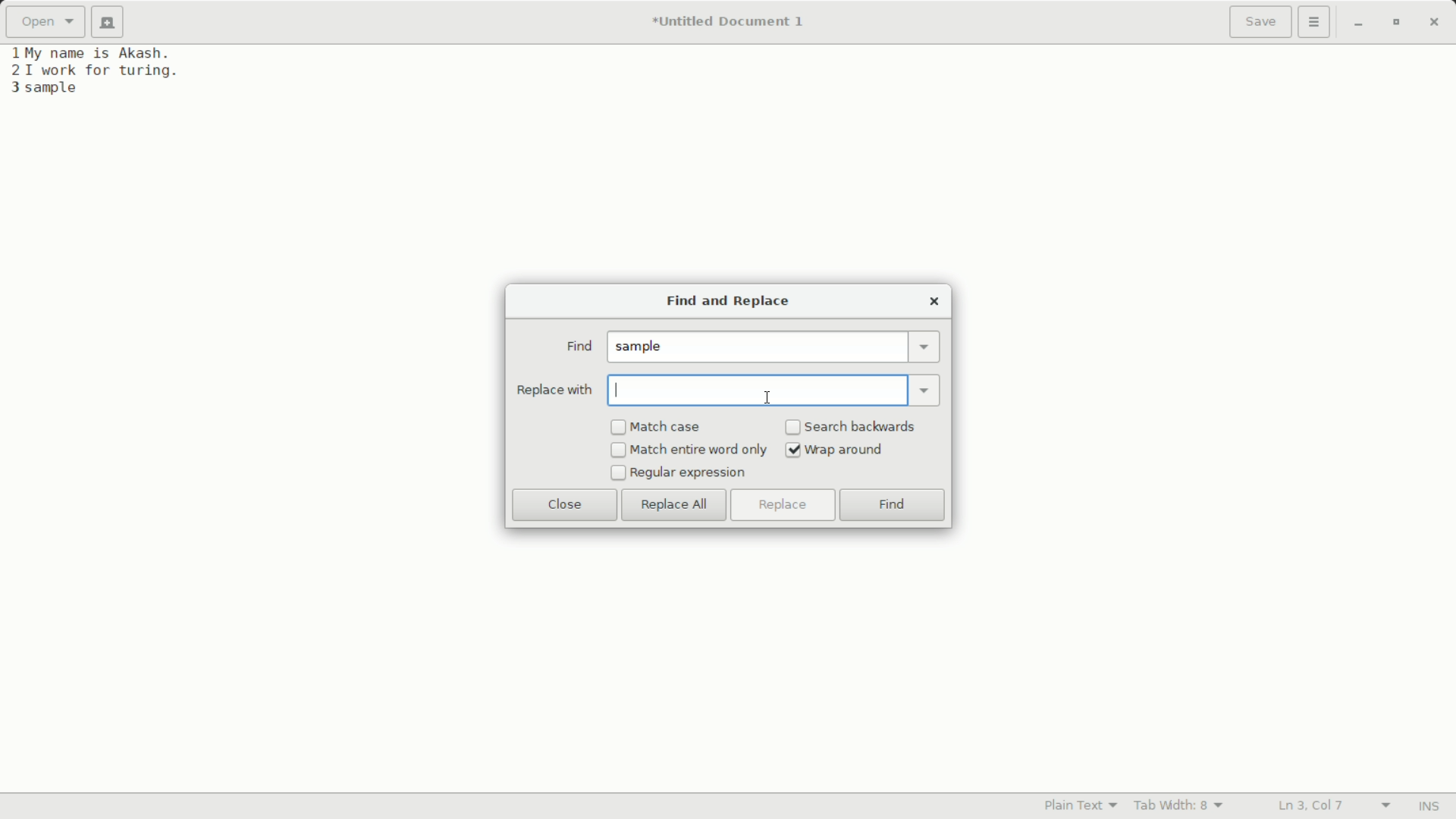 The width and height of the screenshot is (1456, 819). What do you see at coordinates (620, 389) in the screenshot?
I see `typing indicator cursor` at bounding box center [620, 389].